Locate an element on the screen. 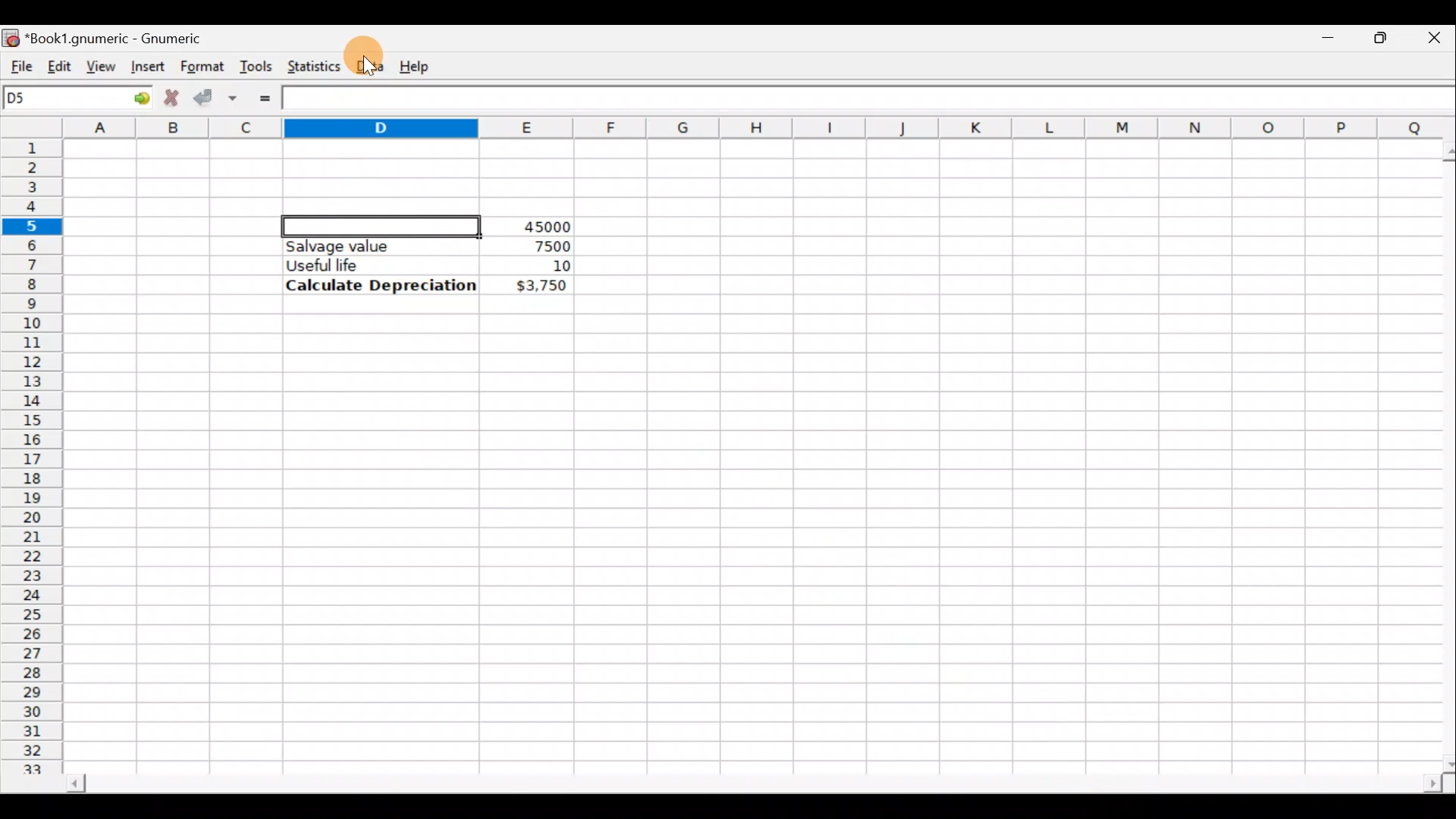 The image size is (1456, 819). Salvage value is located at coordinates (367, 246).